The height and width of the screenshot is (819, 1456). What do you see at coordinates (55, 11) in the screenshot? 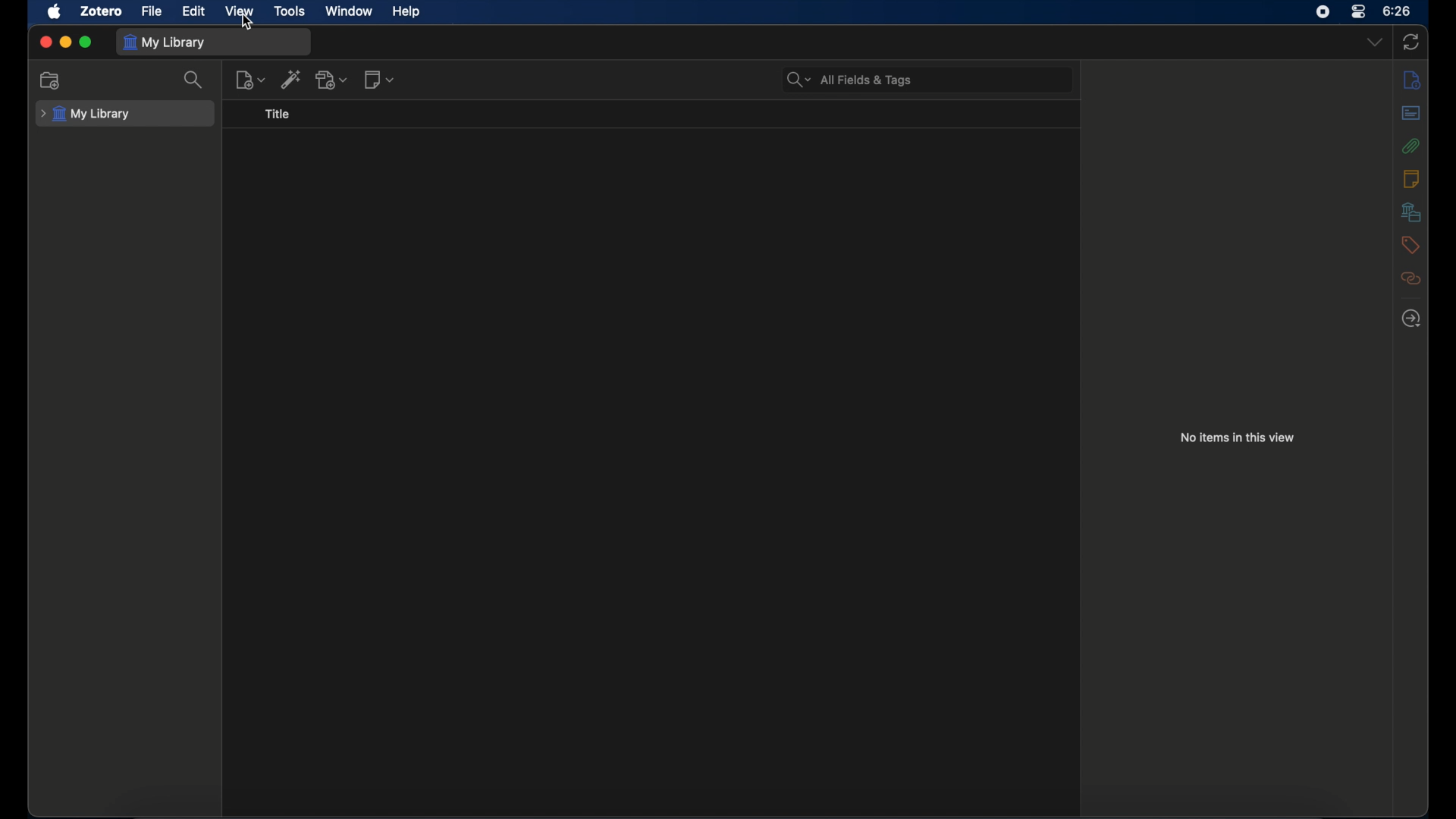
I see `apple icon` at bounding box center [55, 11].